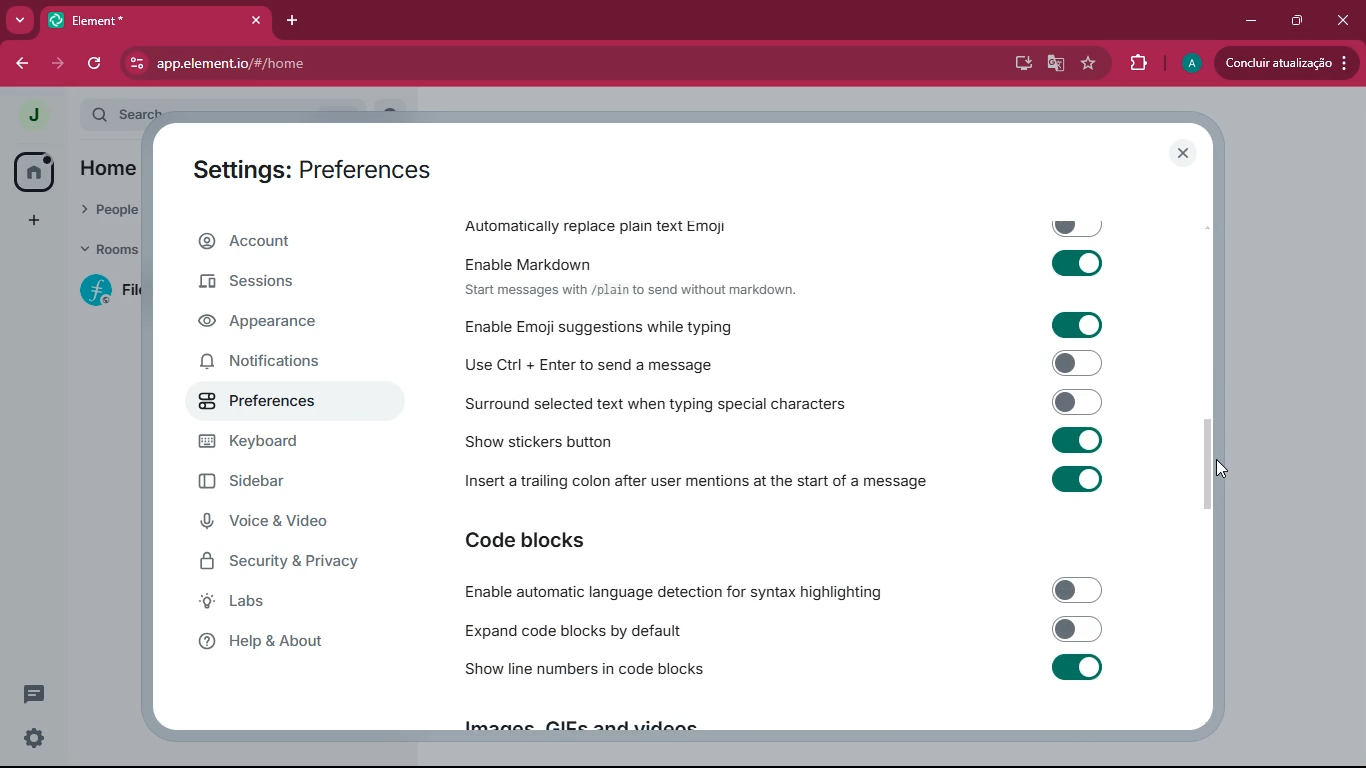 The height and width of the screenshot is (768, 1366). What do you see at coordinates (289, 647) in the screenshot?
I see `help` at bounding box center [289, 647].